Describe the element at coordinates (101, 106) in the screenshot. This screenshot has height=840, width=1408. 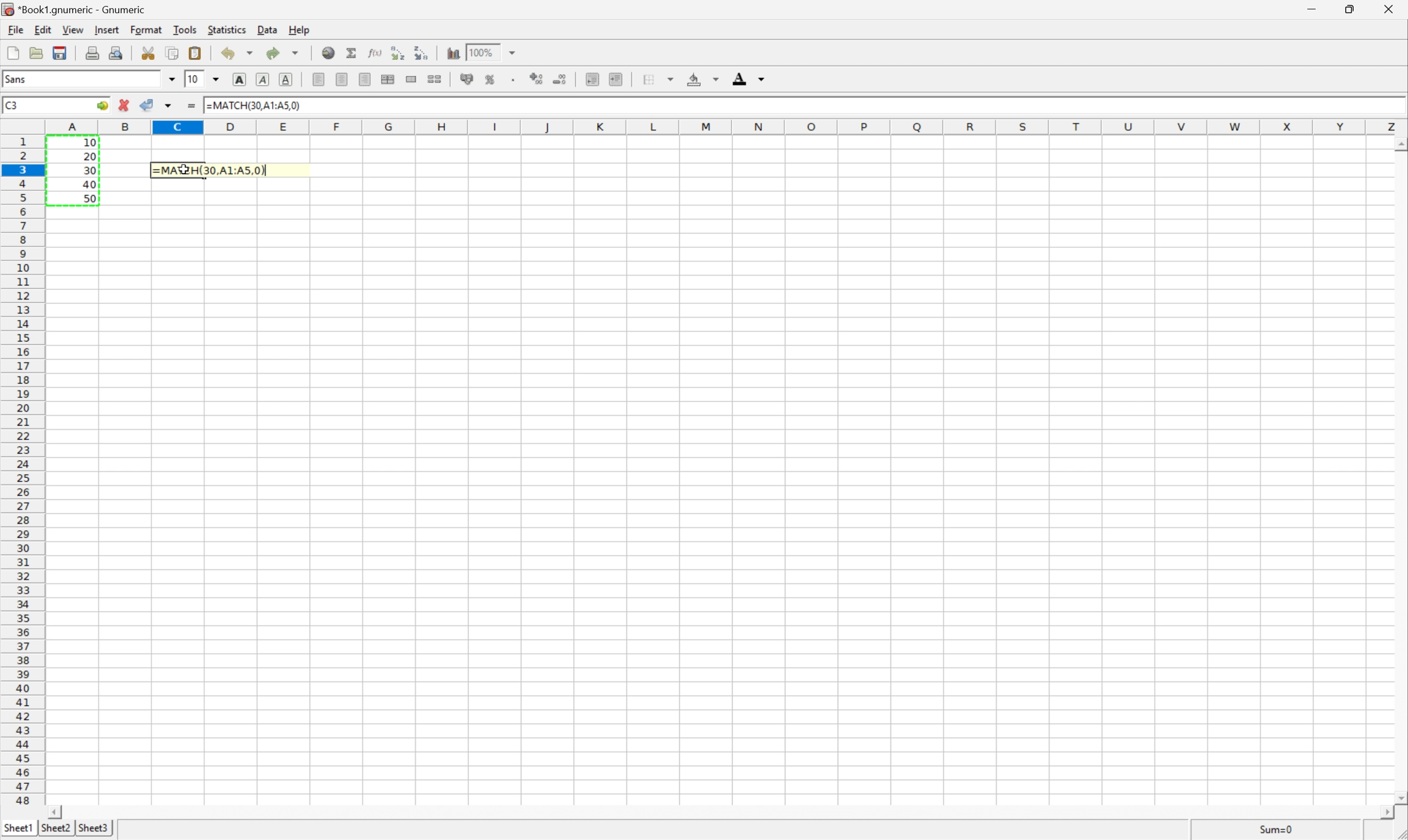
I see `Go to...` at that location.